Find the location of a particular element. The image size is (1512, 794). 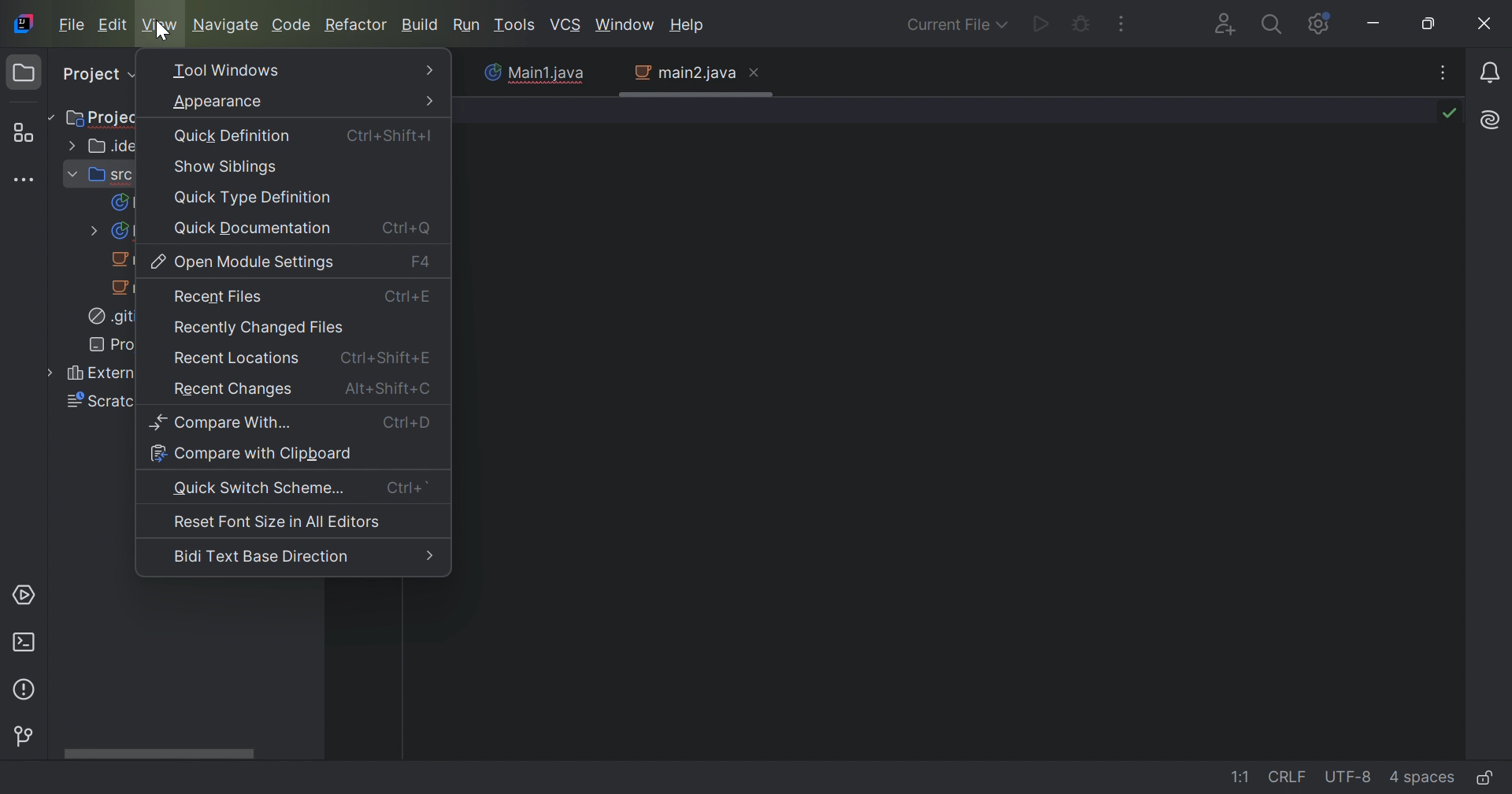

IntelliJ IDEA is located at coordinates (27, 24).